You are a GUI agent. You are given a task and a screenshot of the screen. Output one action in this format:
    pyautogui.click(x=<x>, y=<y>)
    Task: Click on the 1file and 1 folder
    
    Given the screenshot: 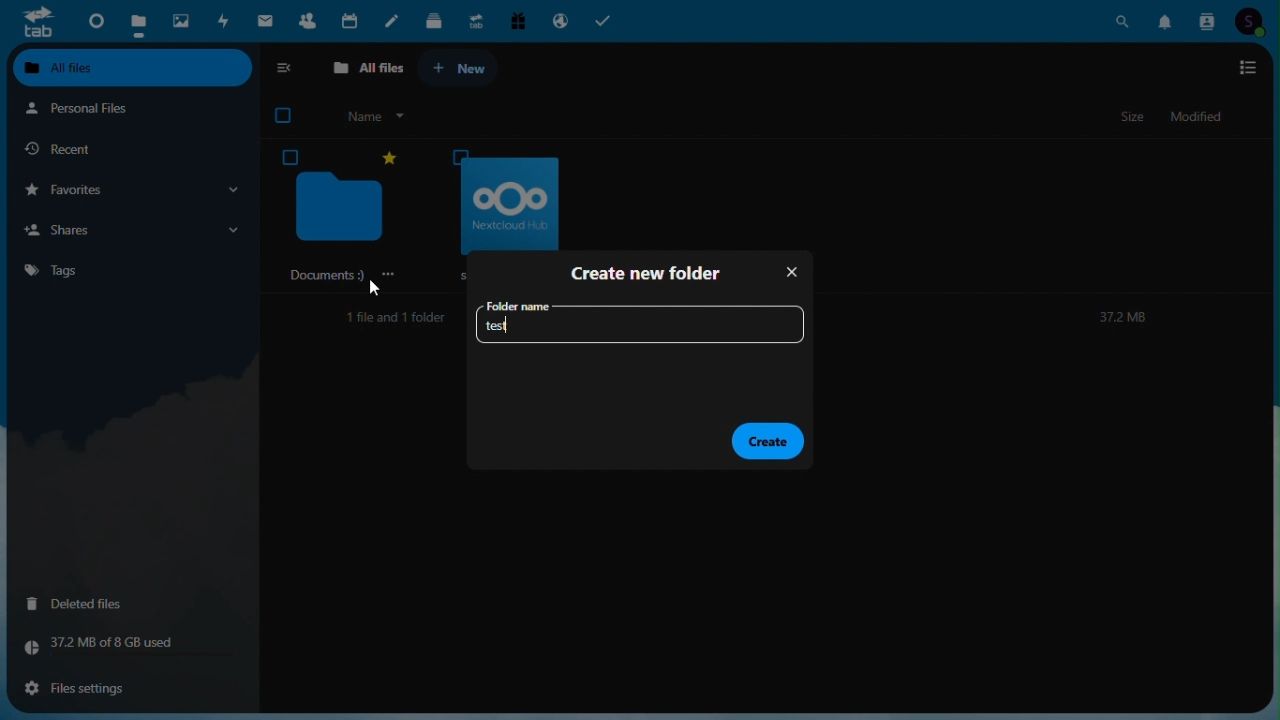 What is the action you would take?
    pyautogui.click(x=403, y=321)
    